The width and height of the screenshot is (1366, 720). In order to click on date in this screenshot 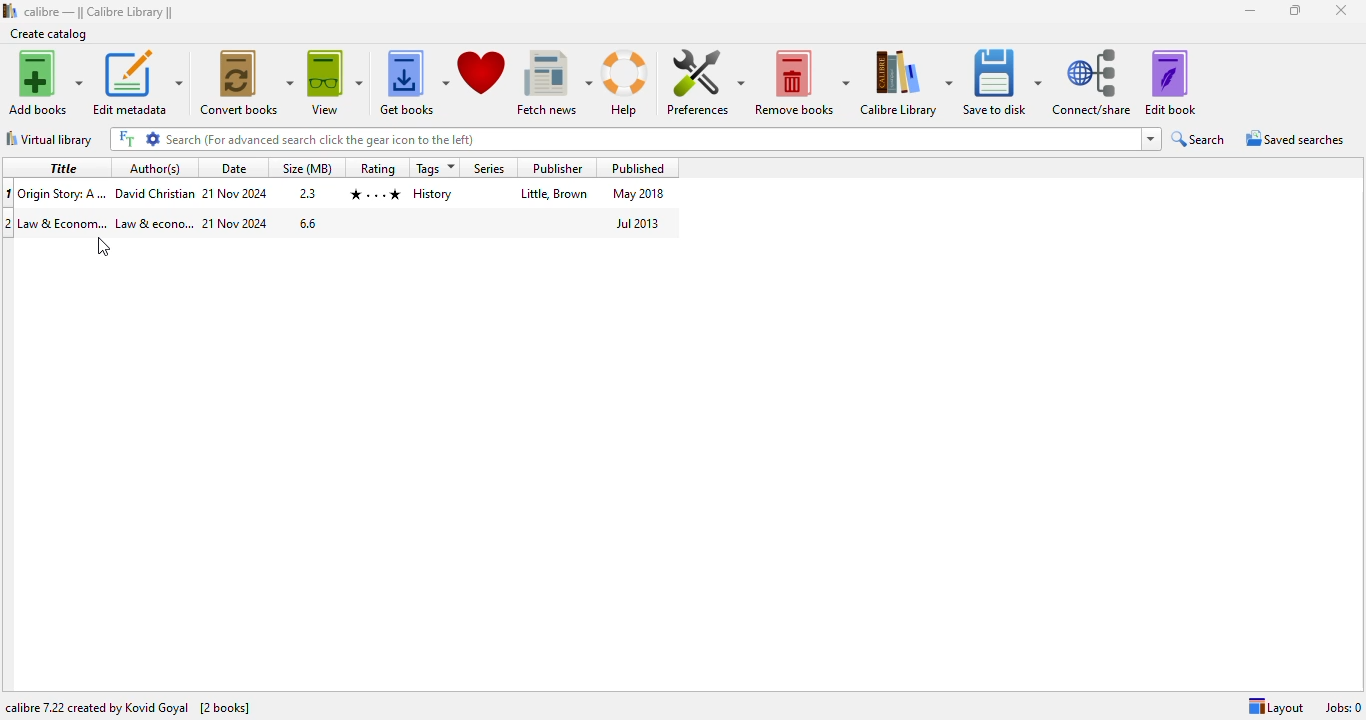, I will do `click(236, 224)`.